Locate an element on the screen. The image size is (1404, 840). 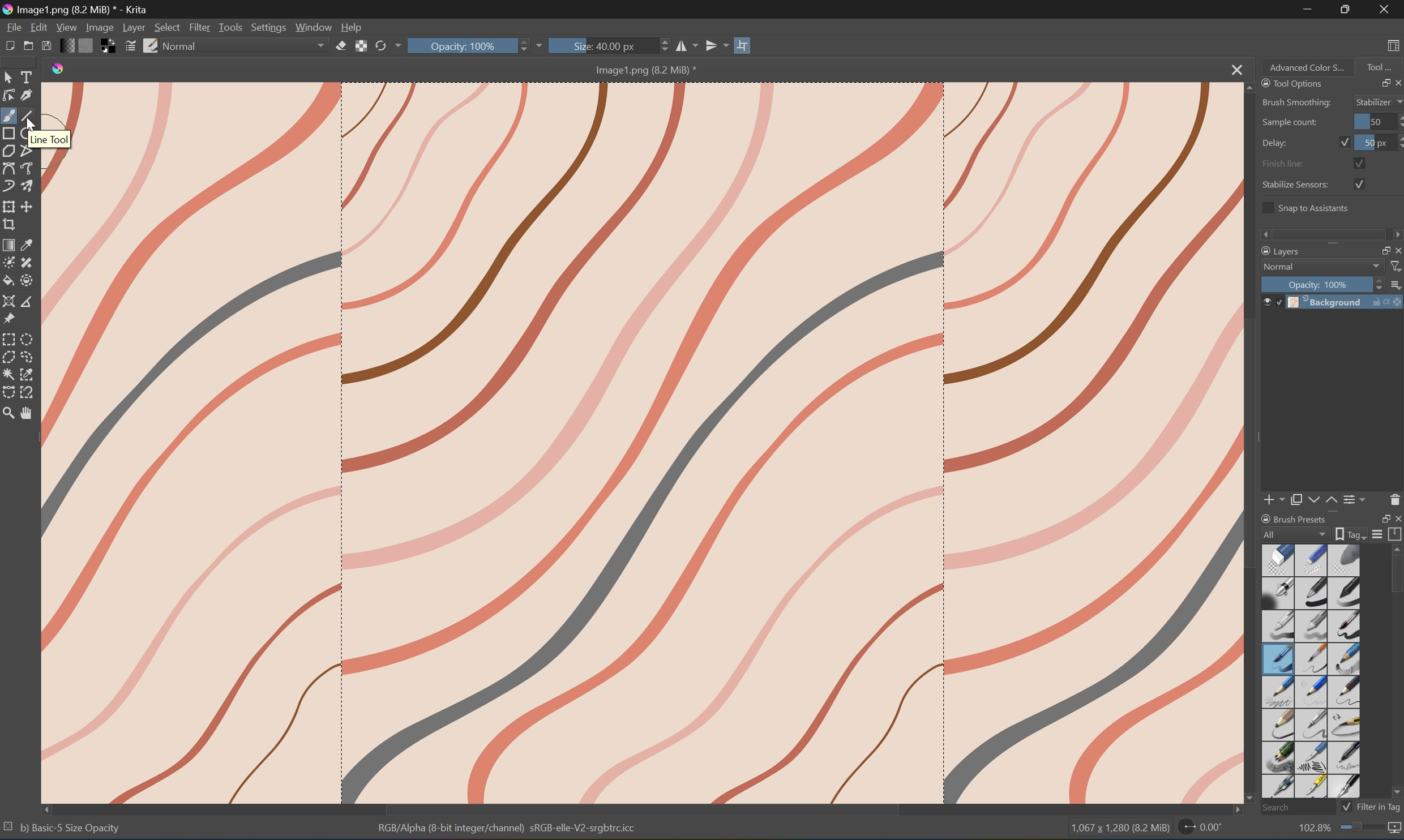
Multibrush tool is located at coordinates (29, 185).